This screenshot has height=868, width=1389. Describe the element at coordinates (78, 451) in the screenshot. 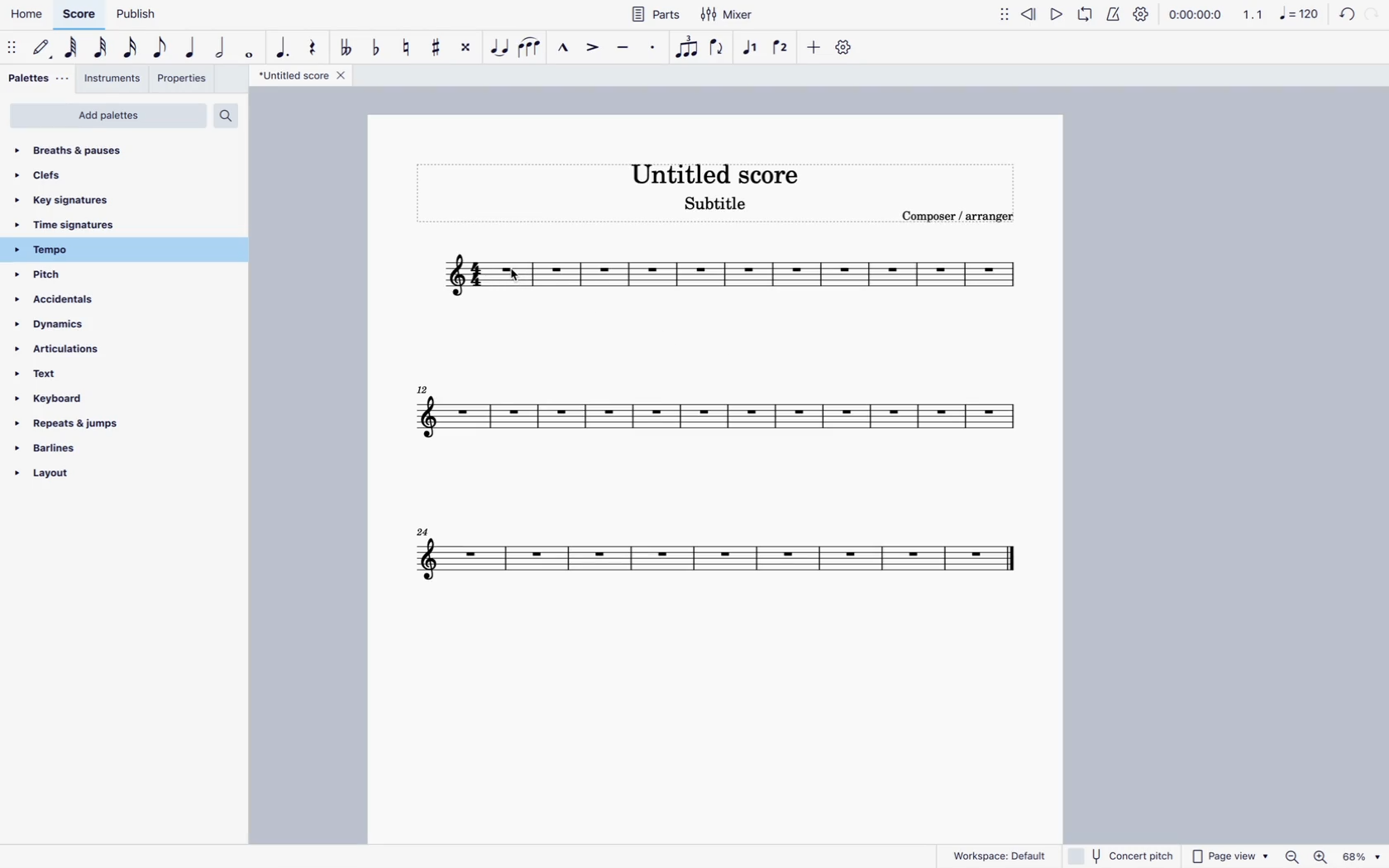

I see `barlines` at that location.